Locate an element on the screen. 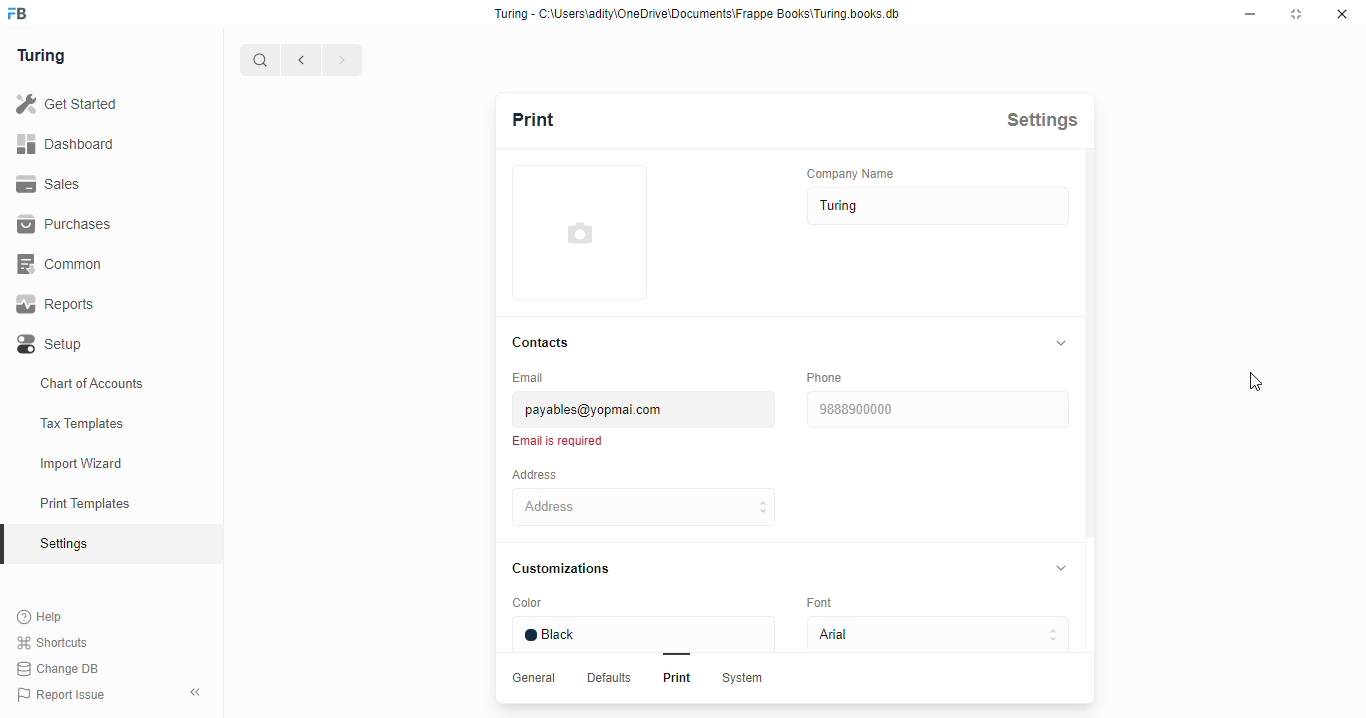 The image size is (1366, 718). Help is located at coordinates (54, 616).